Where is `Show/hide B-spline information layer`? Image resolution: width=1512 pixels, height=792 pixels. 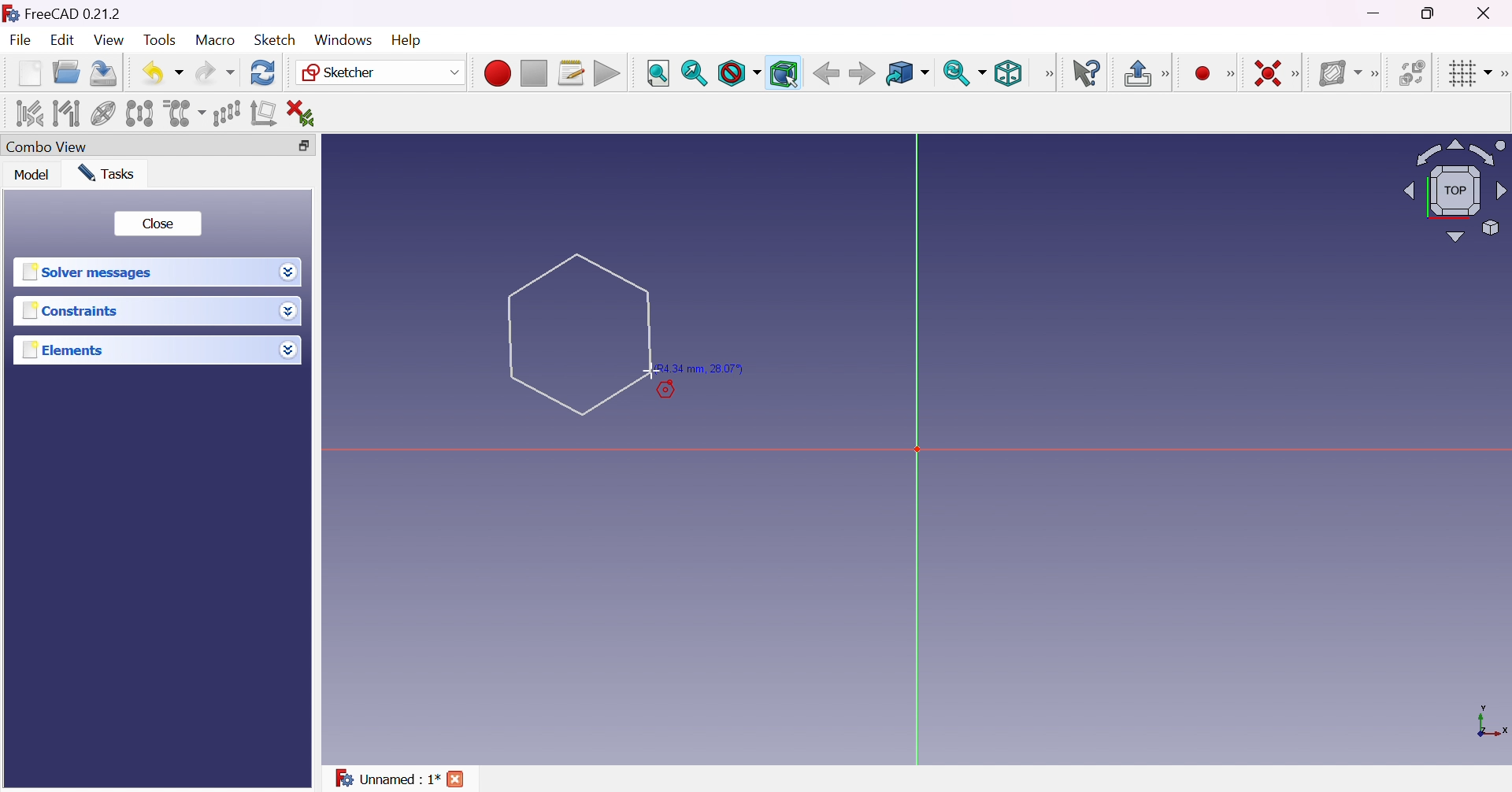
Show/hide B-spline information layer is located at coordinates (1339, 73).